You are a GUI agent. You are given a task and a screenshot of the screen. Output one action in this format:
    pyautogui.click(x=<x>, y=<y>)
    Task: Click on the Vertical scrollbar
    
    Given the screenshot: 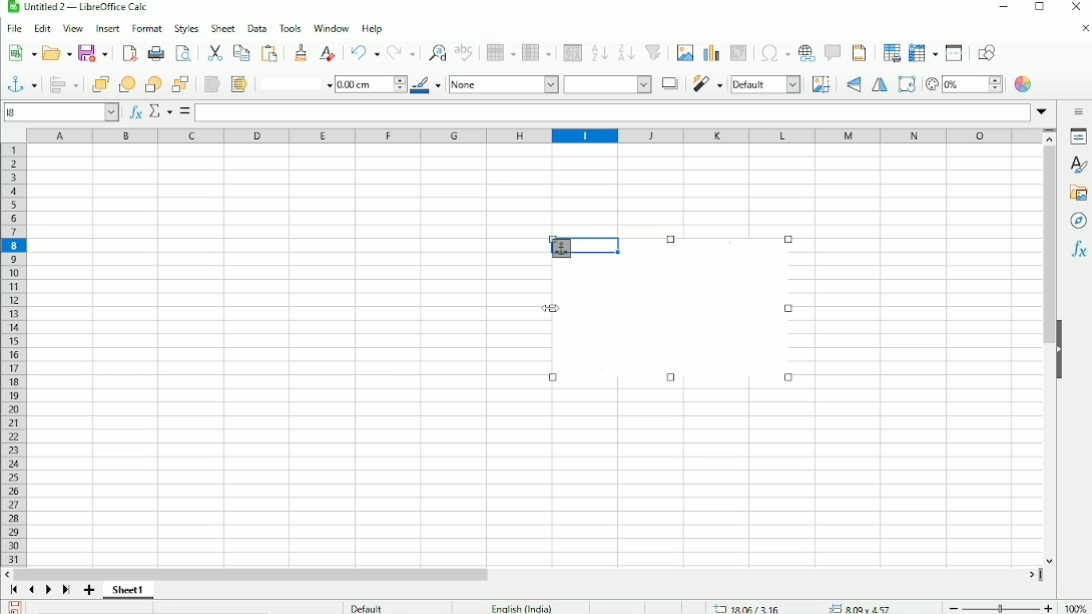 What is the action you would take?
    pyautogui.click(x=1048, y=246)
    